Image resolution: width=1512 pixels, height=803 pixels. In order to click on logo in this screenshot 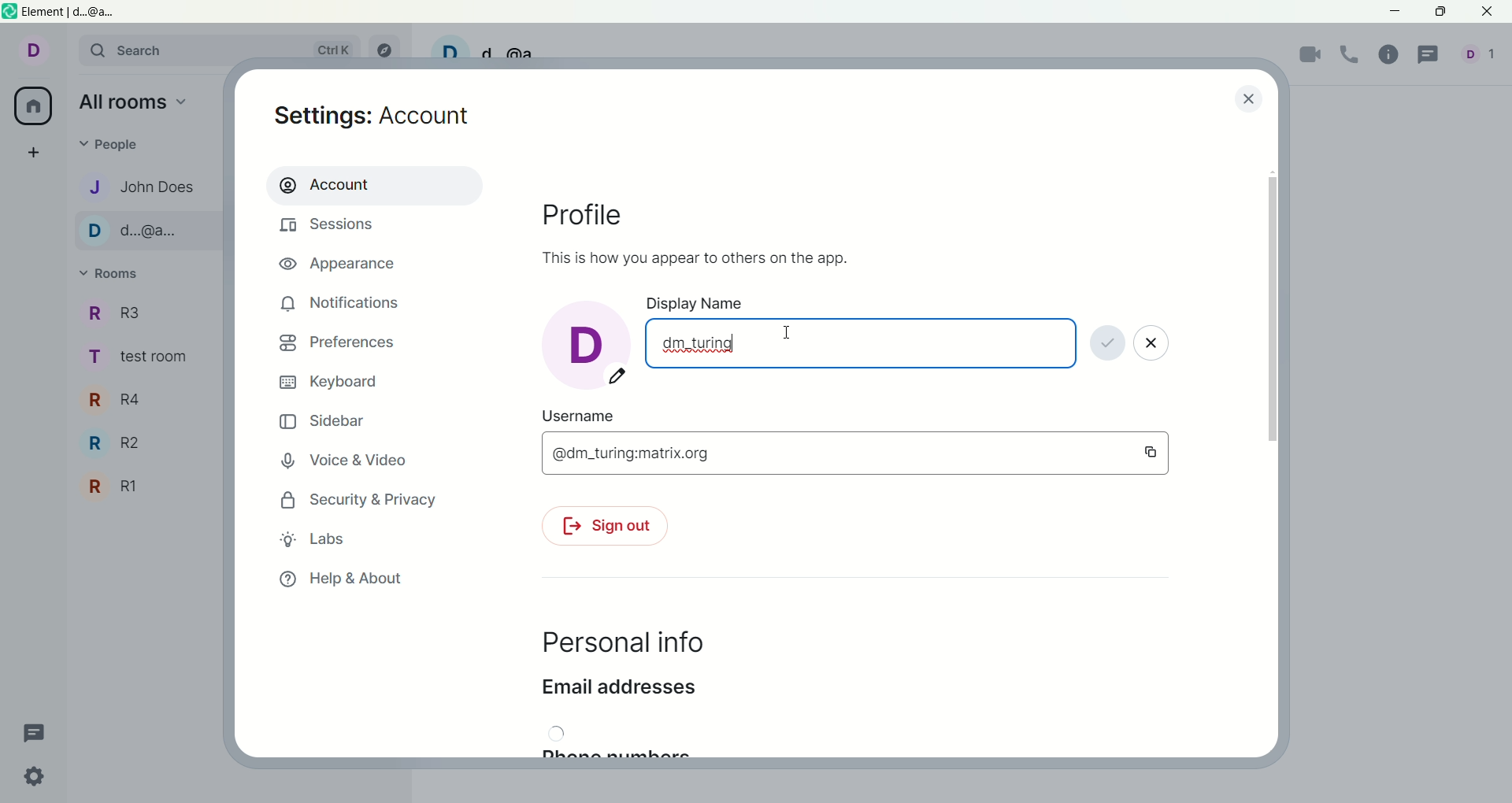, I will do `click(10, 13)`.